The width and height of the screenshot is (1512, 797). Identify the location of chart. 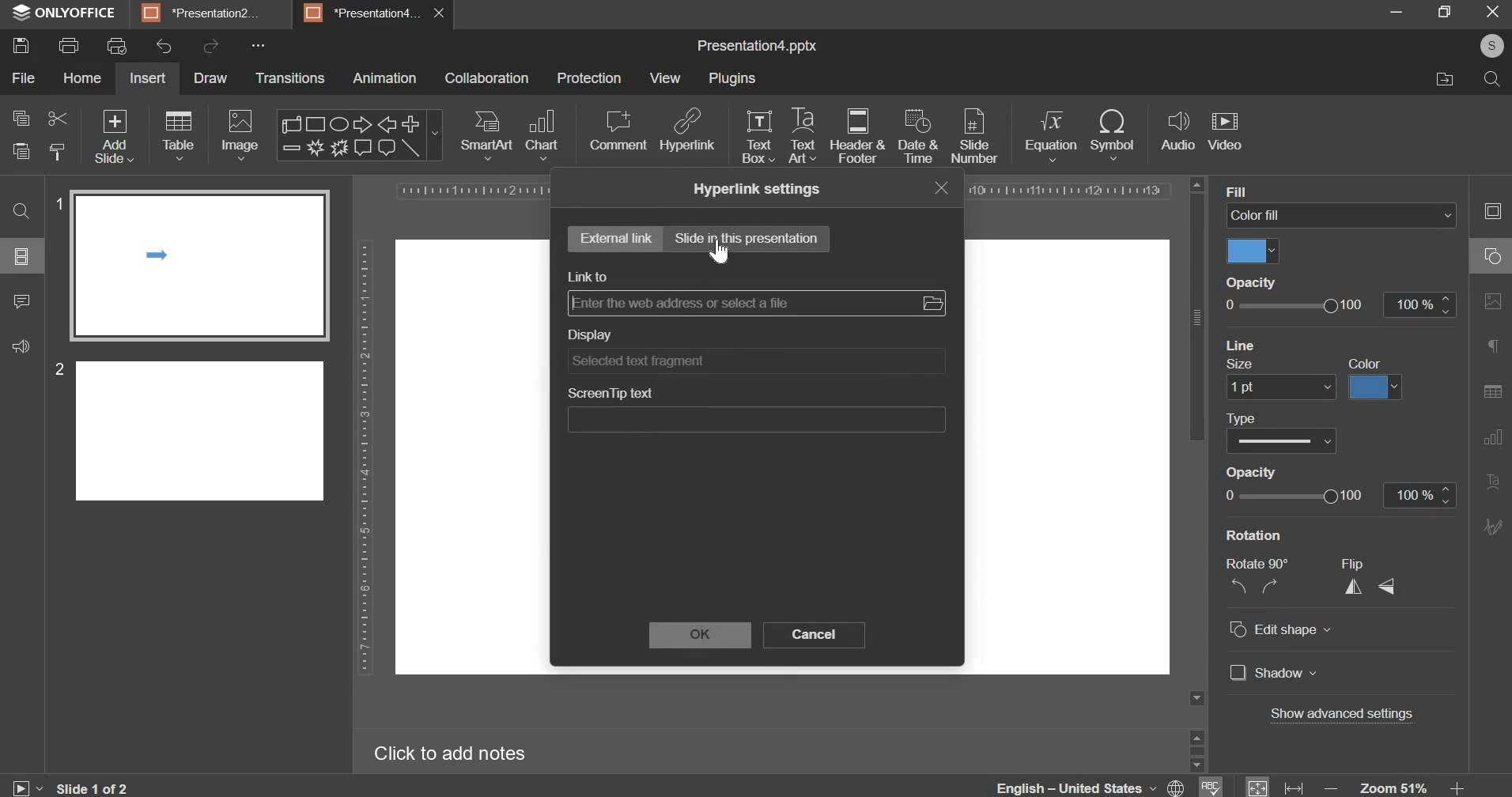
(542, 136).